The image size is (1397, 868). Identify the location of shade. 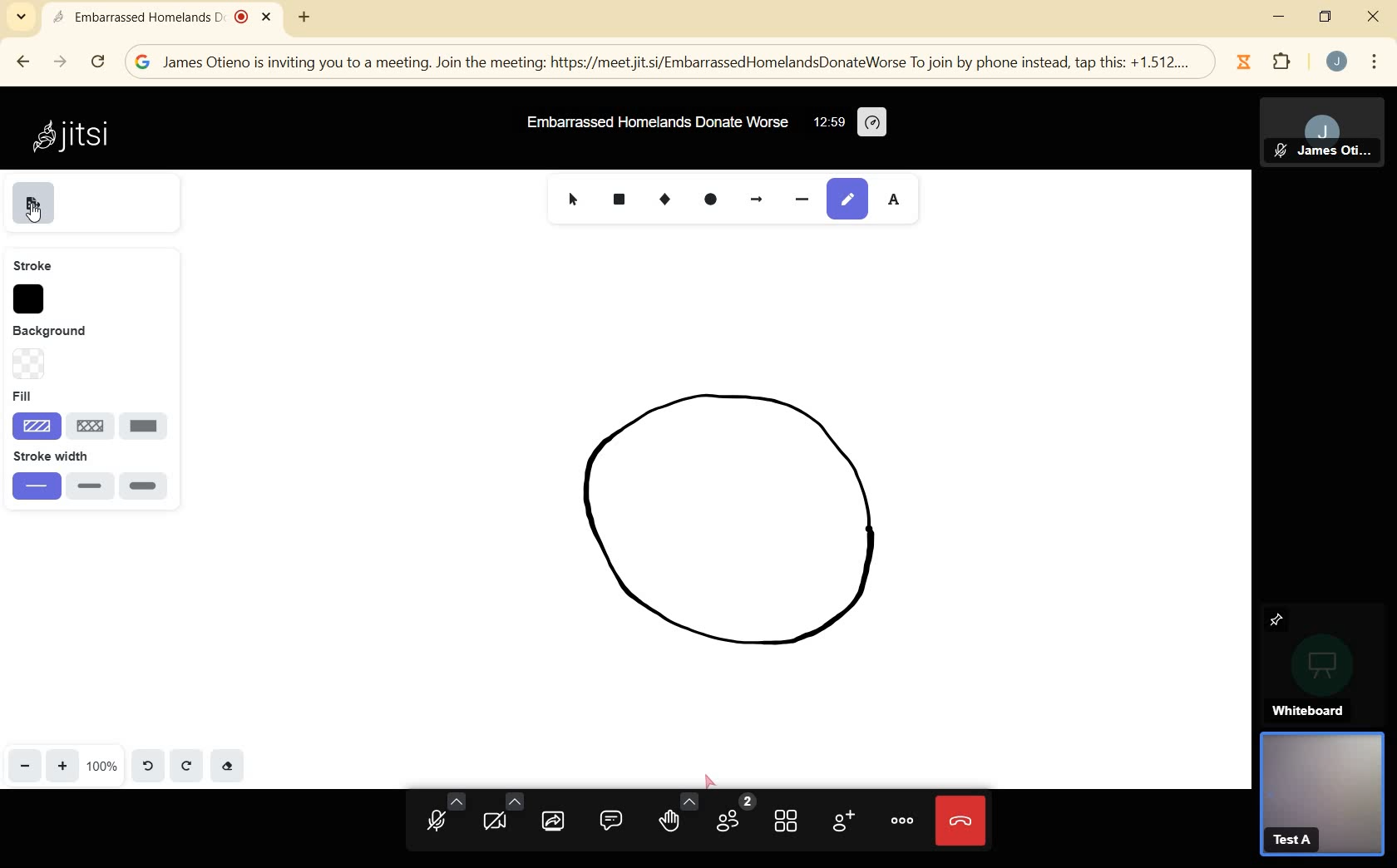
(32, 426).